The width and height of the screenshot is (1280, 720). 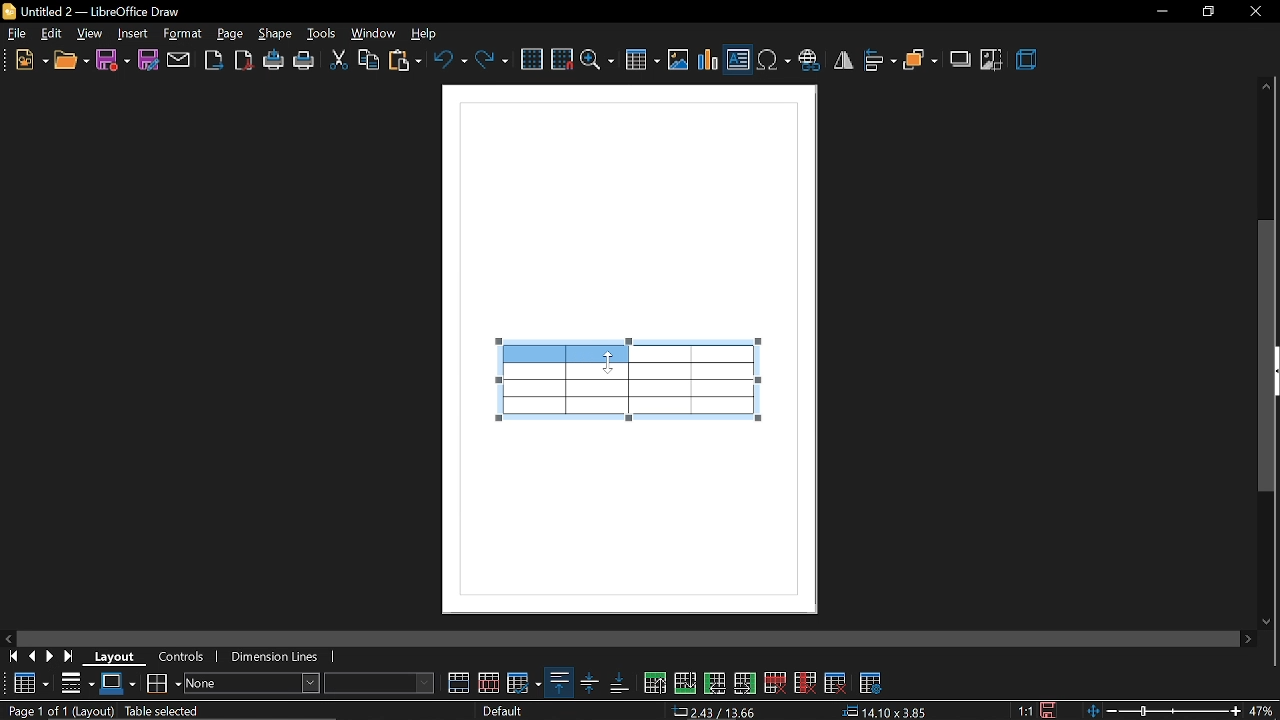 What do you see at coordinates (1254, 14) in the screenshot?
I see `close` at bounding box center [1254, 14].